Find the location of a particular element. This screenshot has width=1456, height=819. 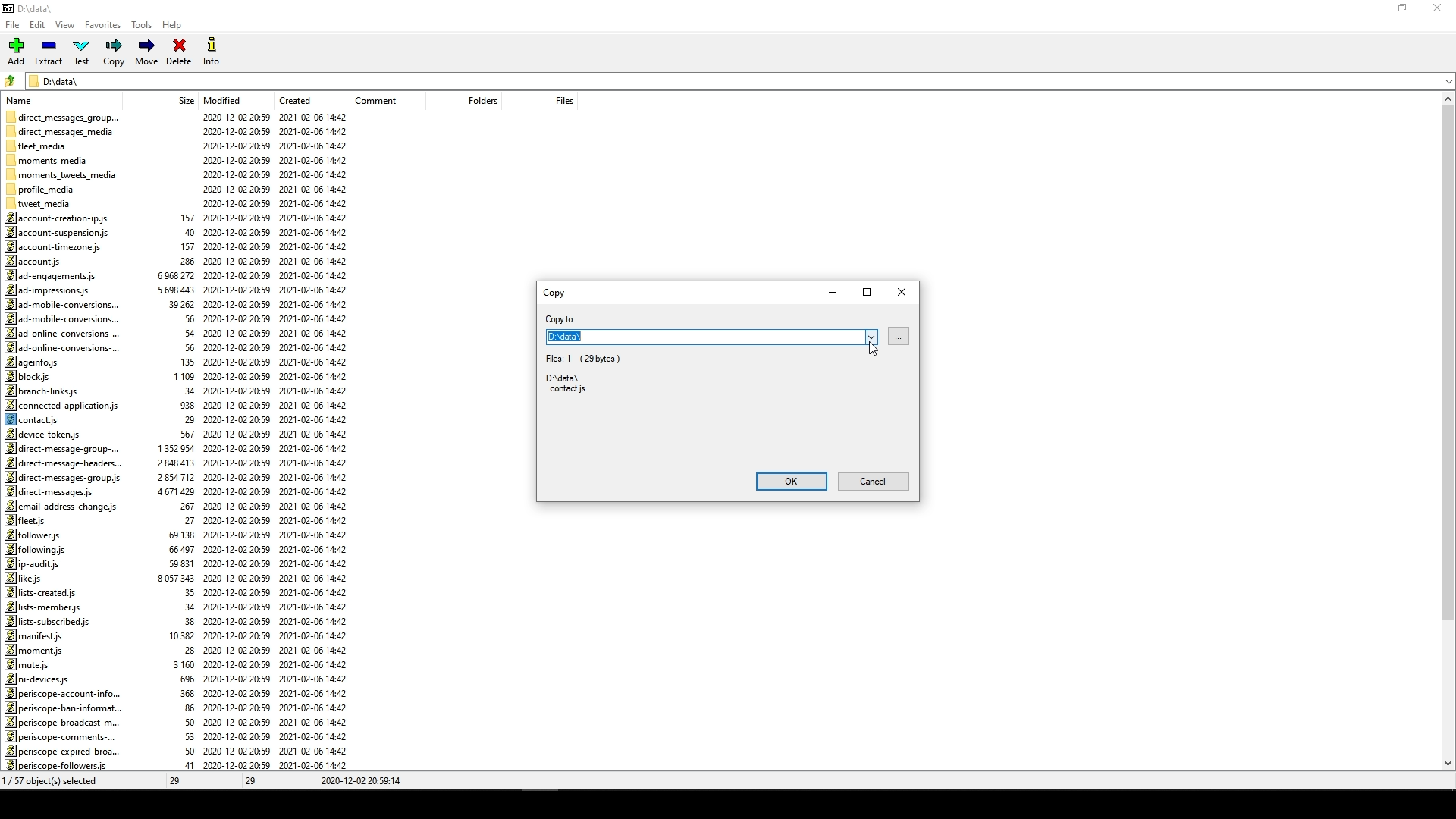

D:\data\ is located at coordinates (58, 80).